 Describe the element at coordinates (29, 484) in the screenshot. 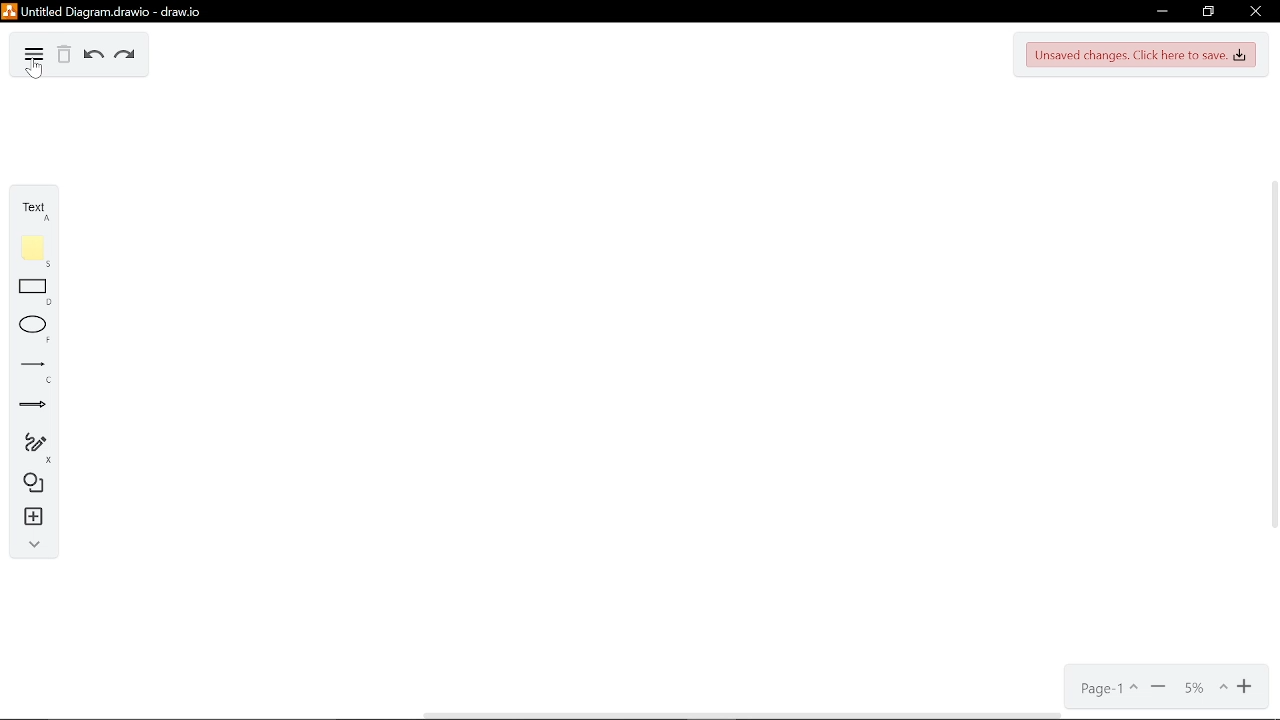

I see `Shapes` at that location.